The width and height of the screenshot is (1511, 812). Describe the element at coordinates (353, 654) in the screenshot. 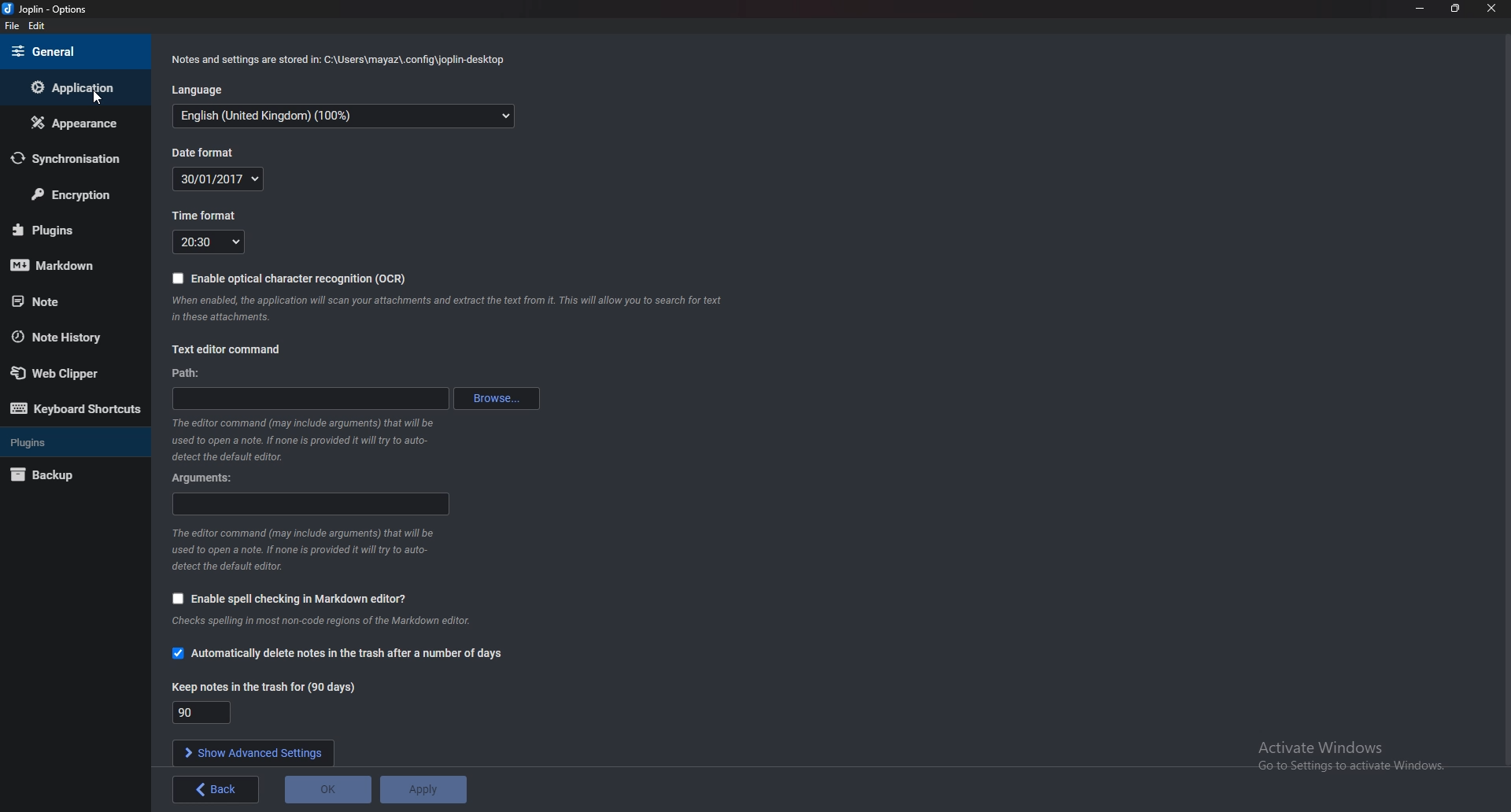

I see `Automatically delete notes` at that location.